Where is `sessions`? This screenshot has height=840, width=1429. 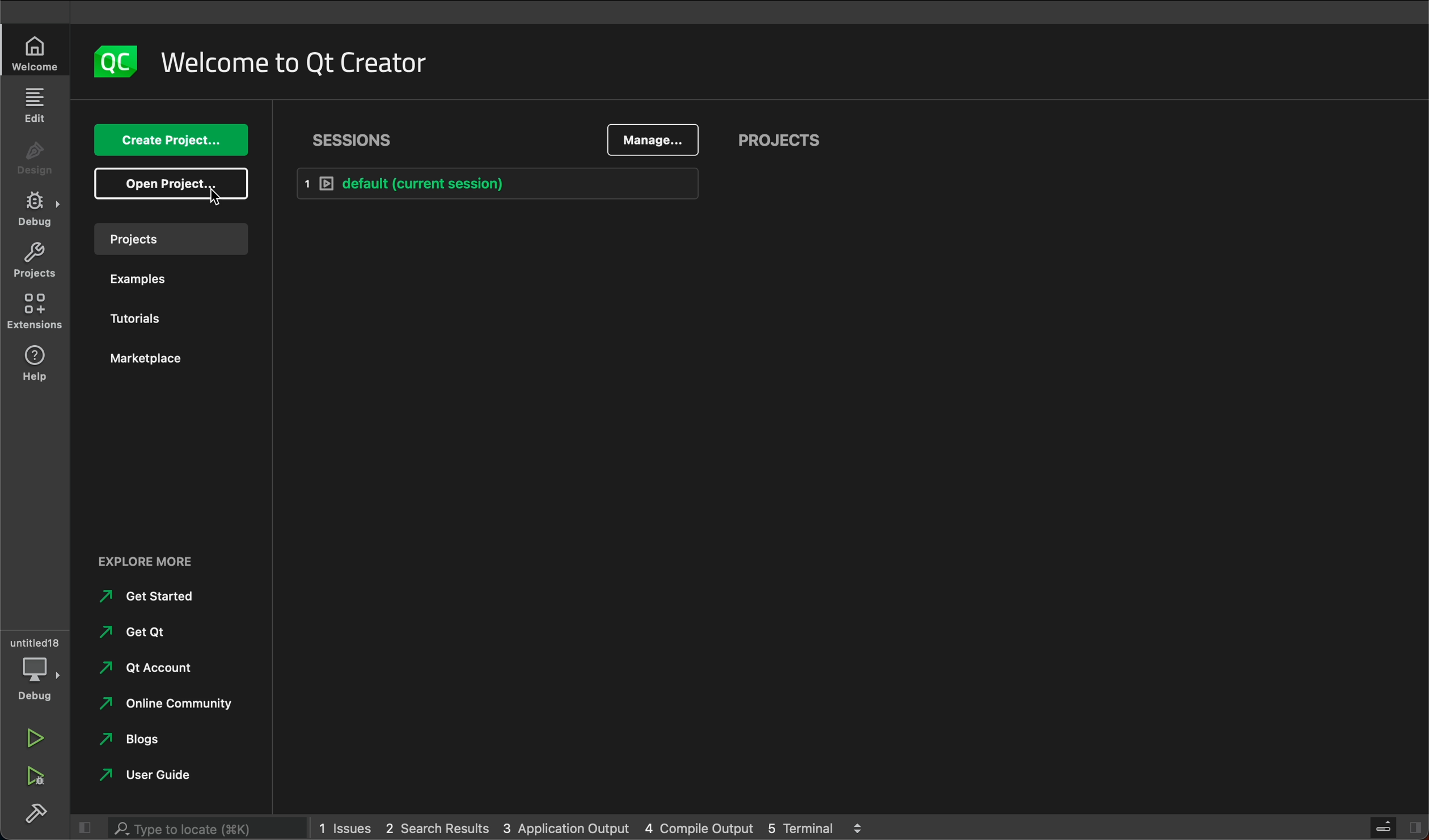
sessions is located at coordinates (362, 139).